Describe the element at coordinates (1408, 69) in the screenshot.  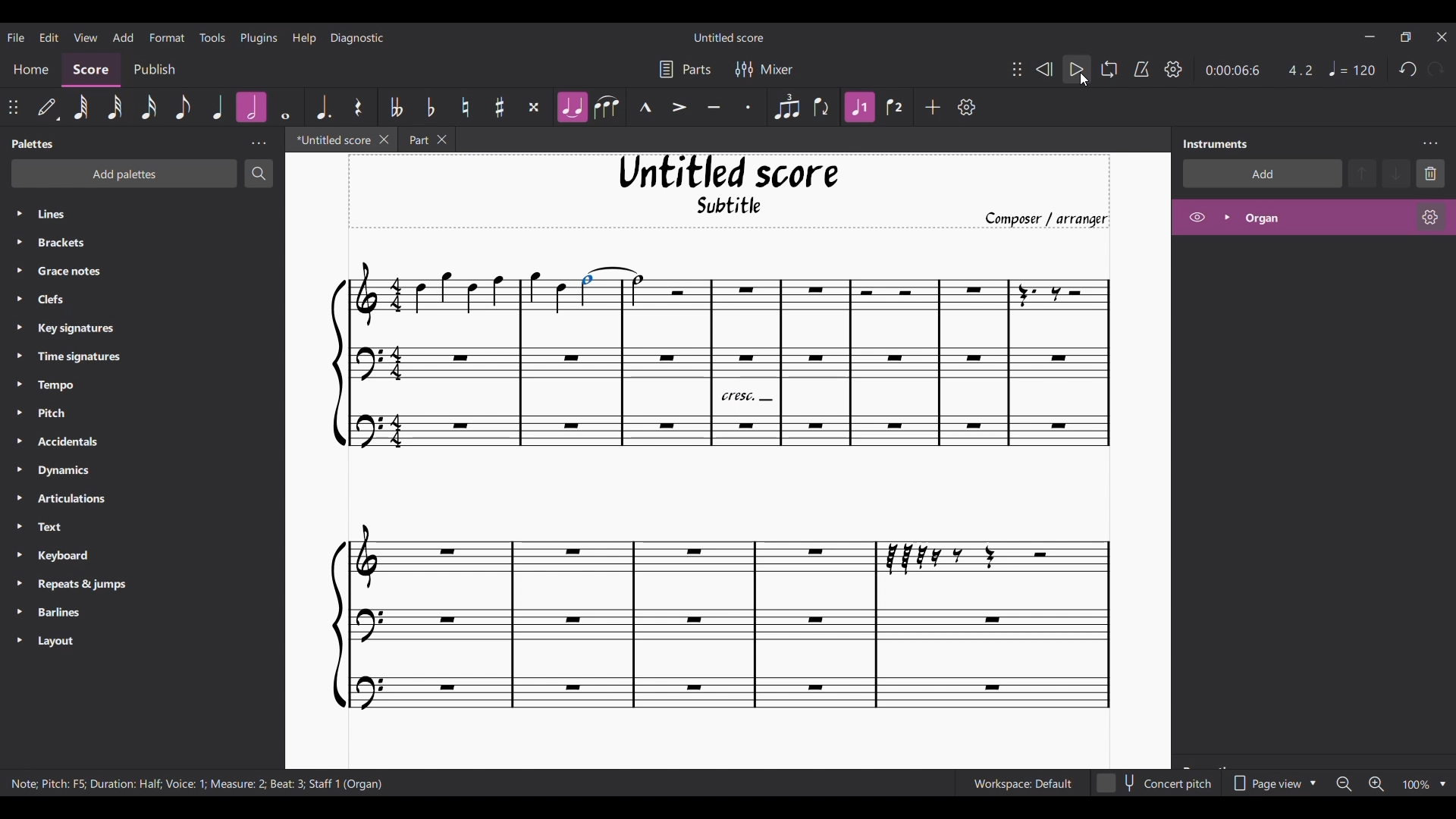
I see `Undo` at that location.